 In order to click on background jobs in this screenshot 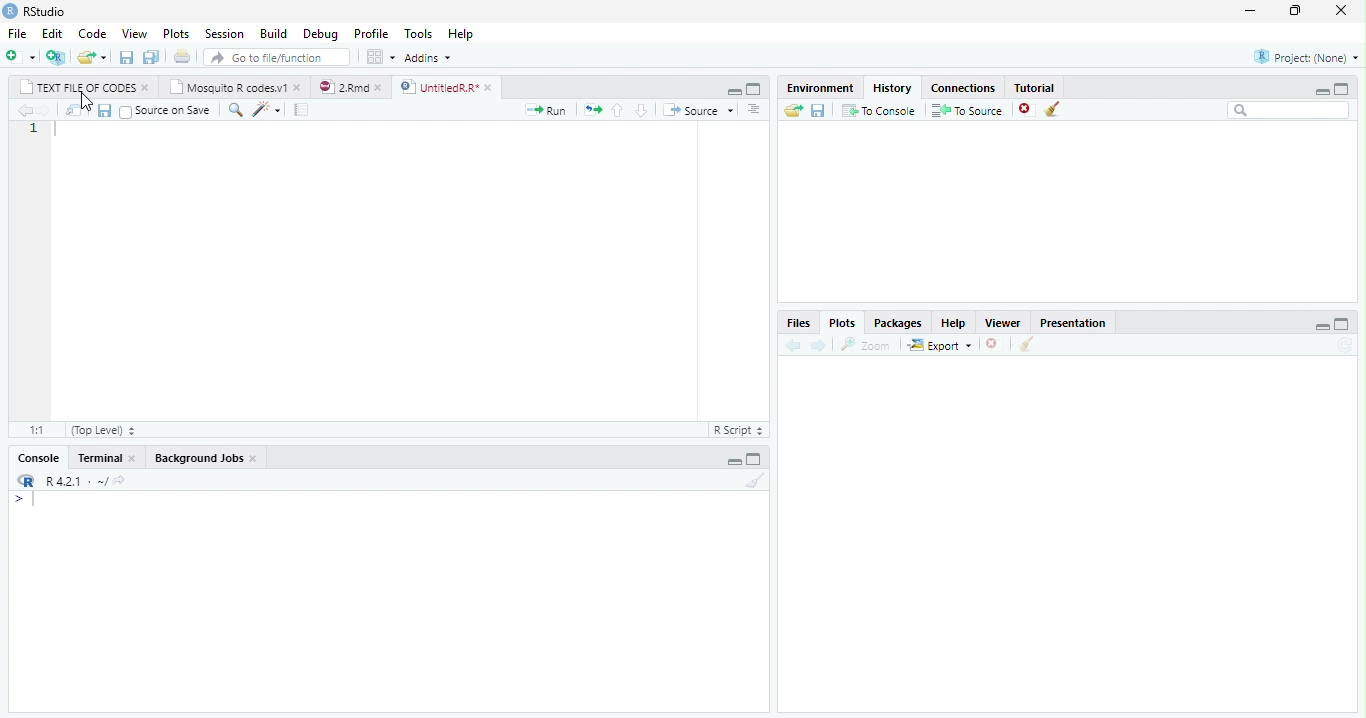, I will do `click(198, 457)`.